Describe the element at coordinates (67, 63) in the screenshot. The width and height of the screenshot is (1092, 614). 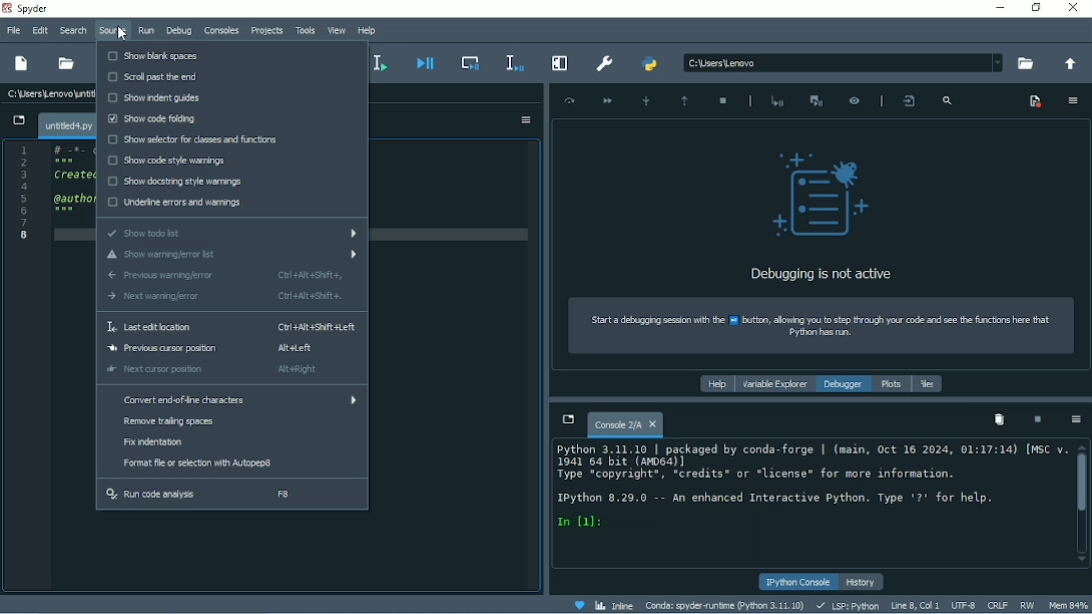
I see `Open file` at that location.